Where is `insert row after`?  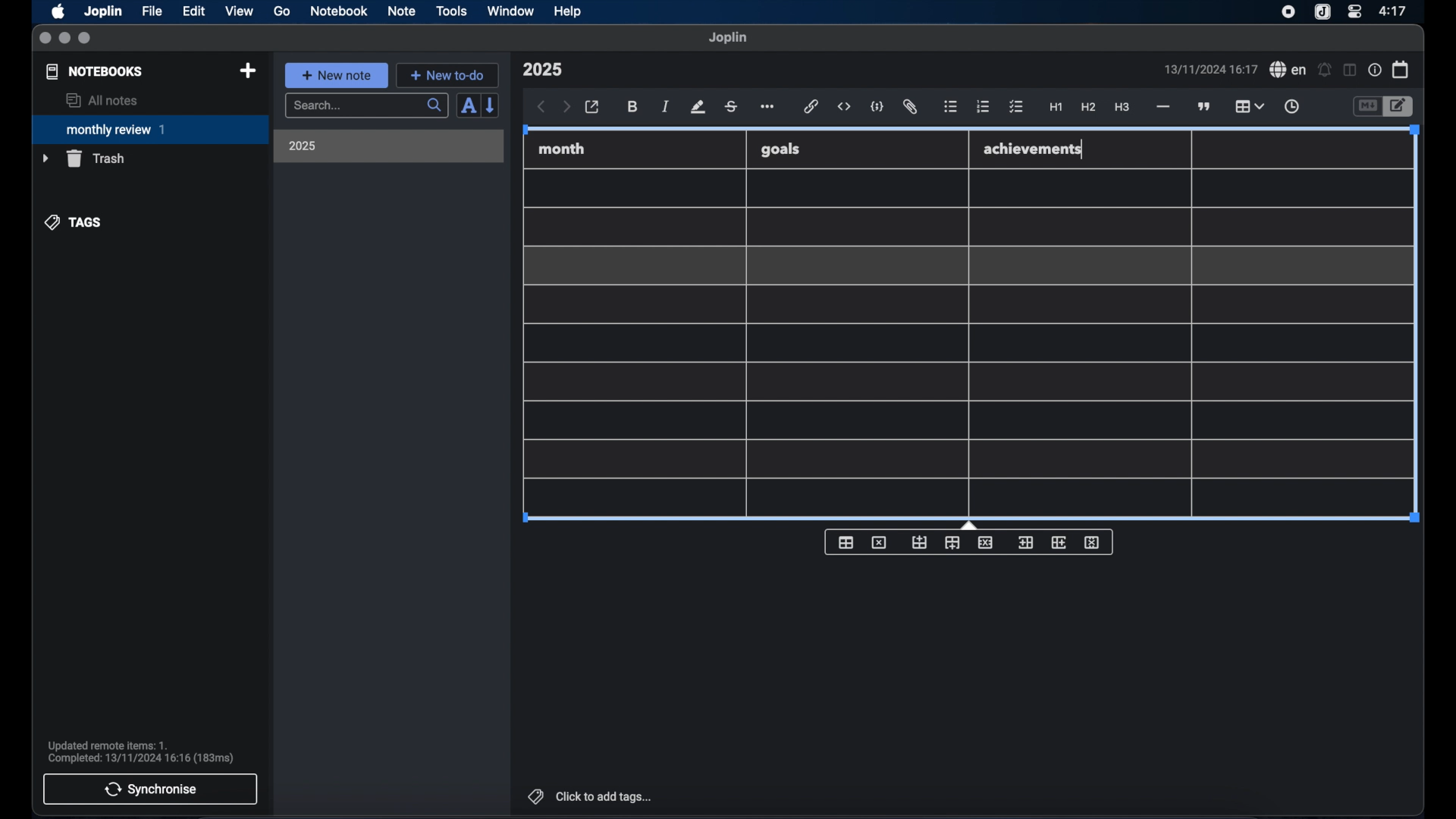 insert row after is located at coordinates (952, 543).